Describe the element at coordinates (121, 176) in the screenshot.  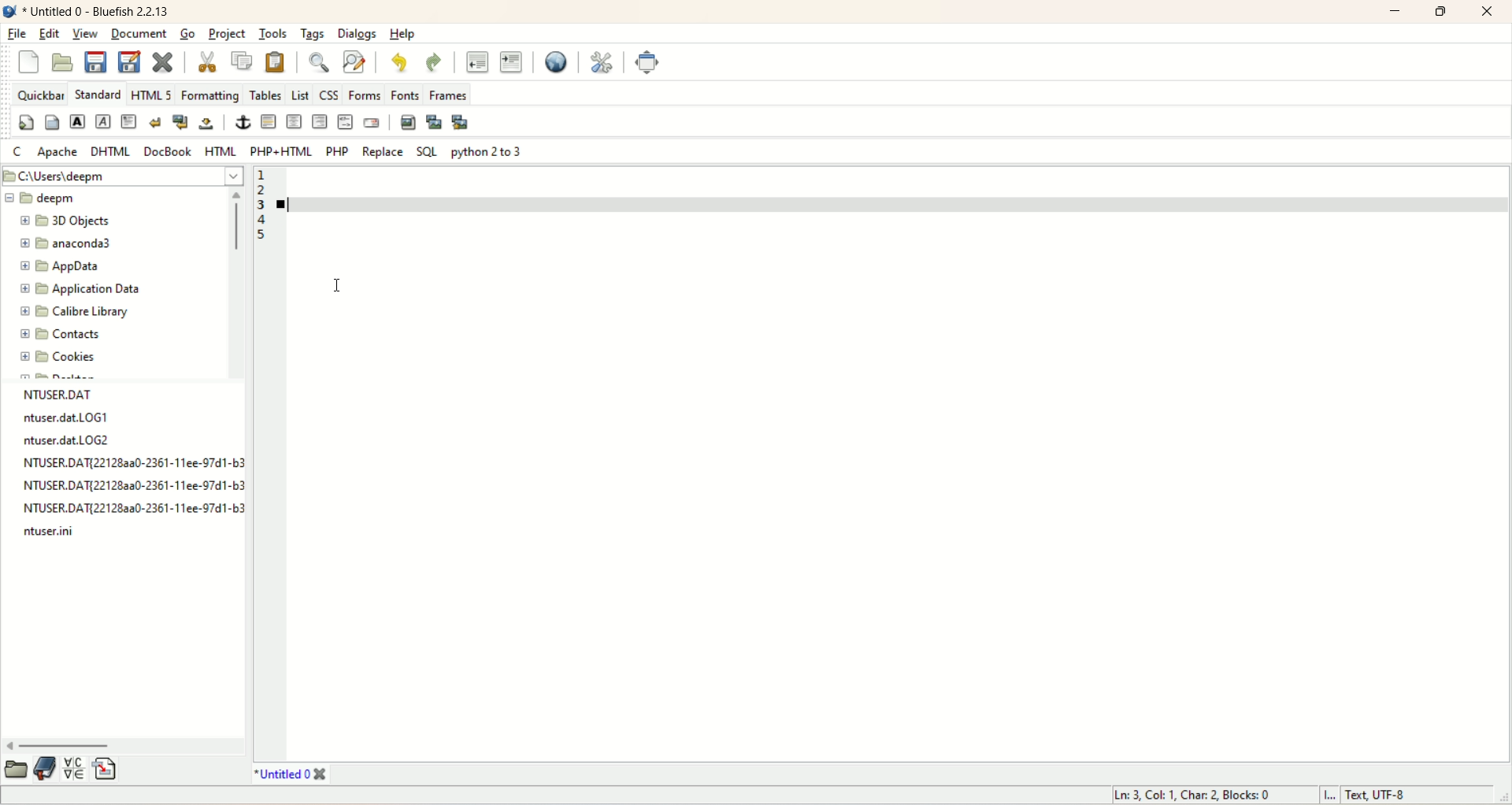
I see `location` at that location.